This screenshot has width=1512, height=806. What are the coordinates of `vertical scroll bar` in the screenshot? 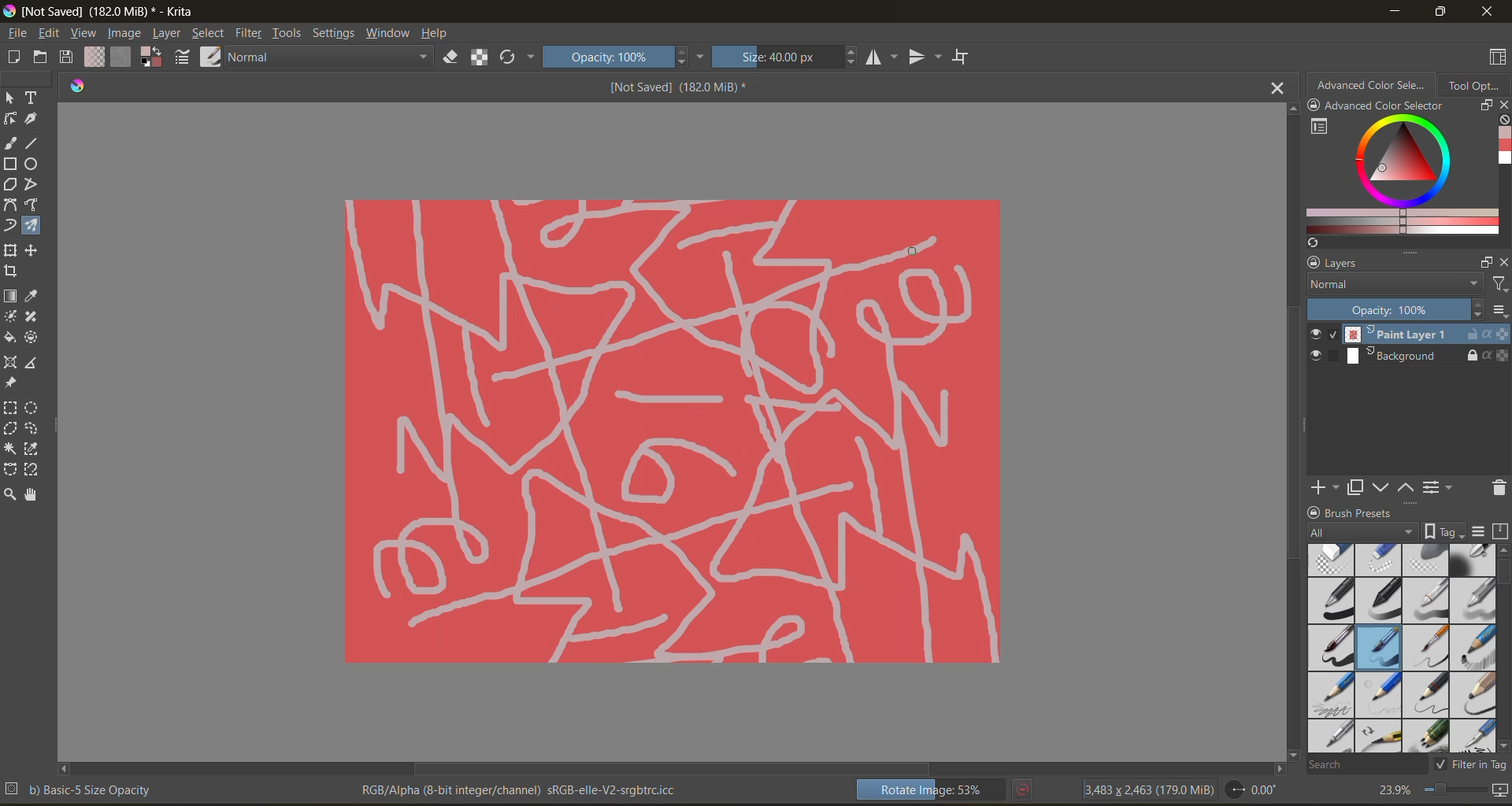 It's located at (1503, 571).